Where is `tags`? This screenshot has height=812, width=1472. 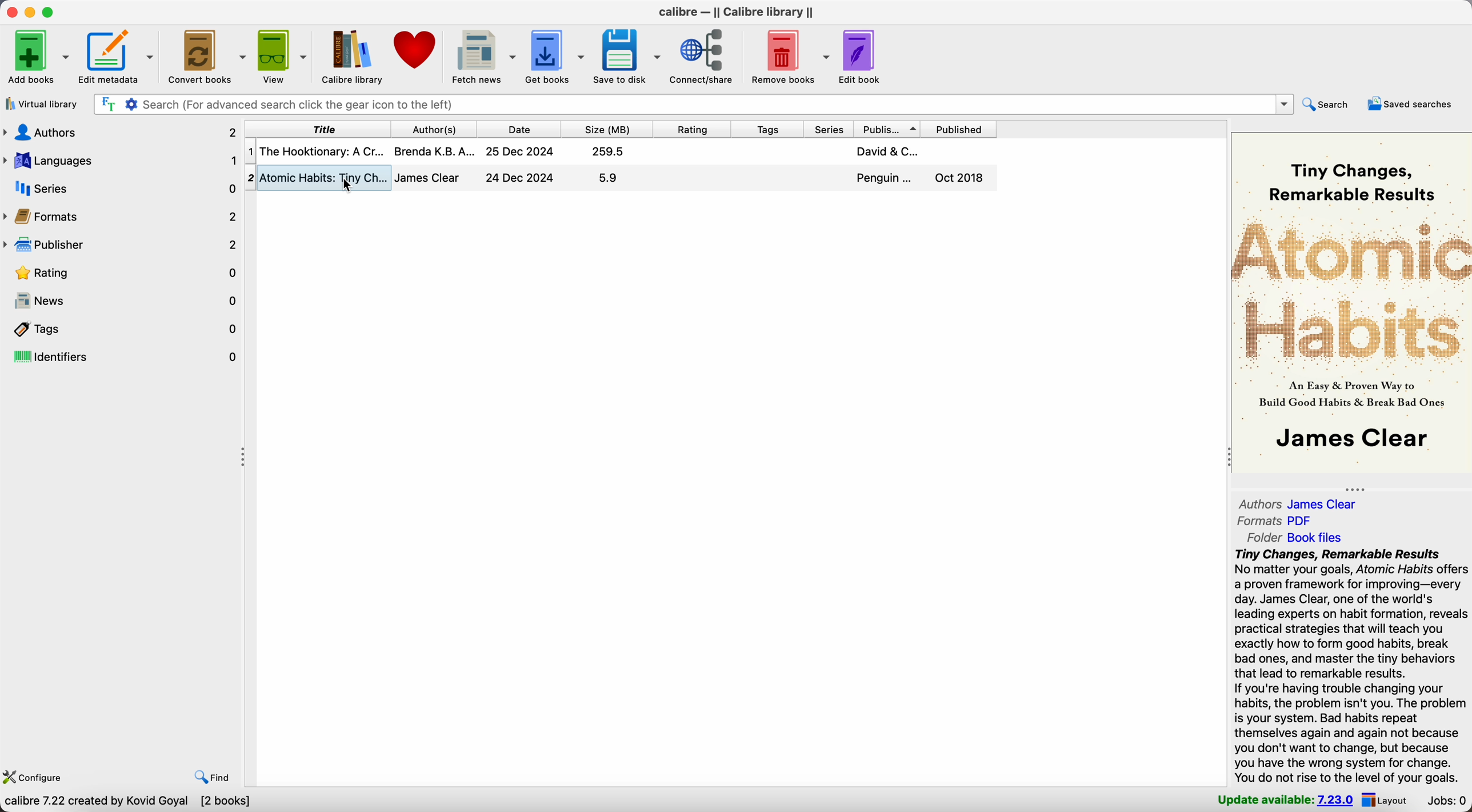 tags is located at coordinates (122, 329).